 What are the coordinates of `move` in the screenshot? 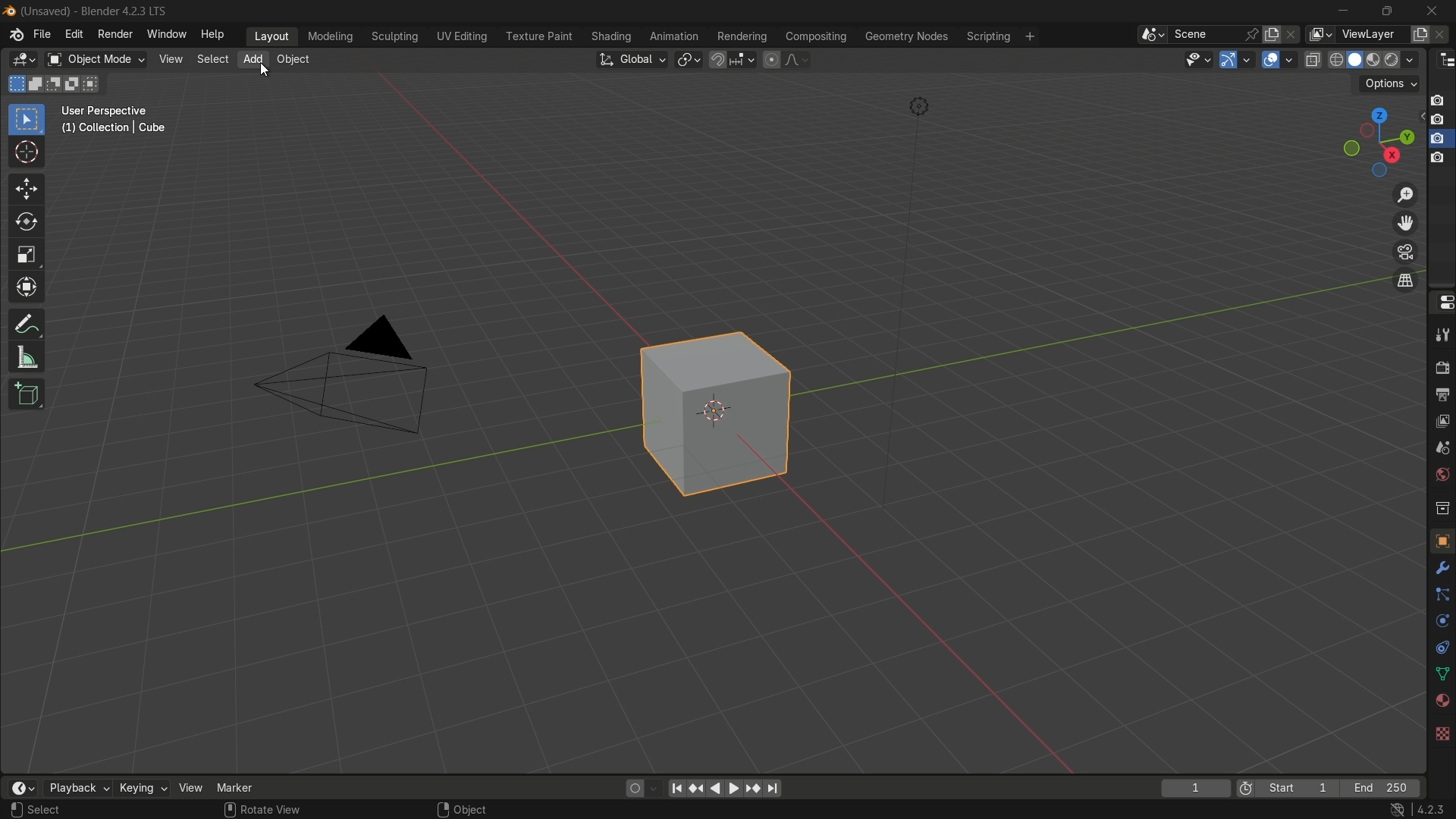 It's located at (27, 190).